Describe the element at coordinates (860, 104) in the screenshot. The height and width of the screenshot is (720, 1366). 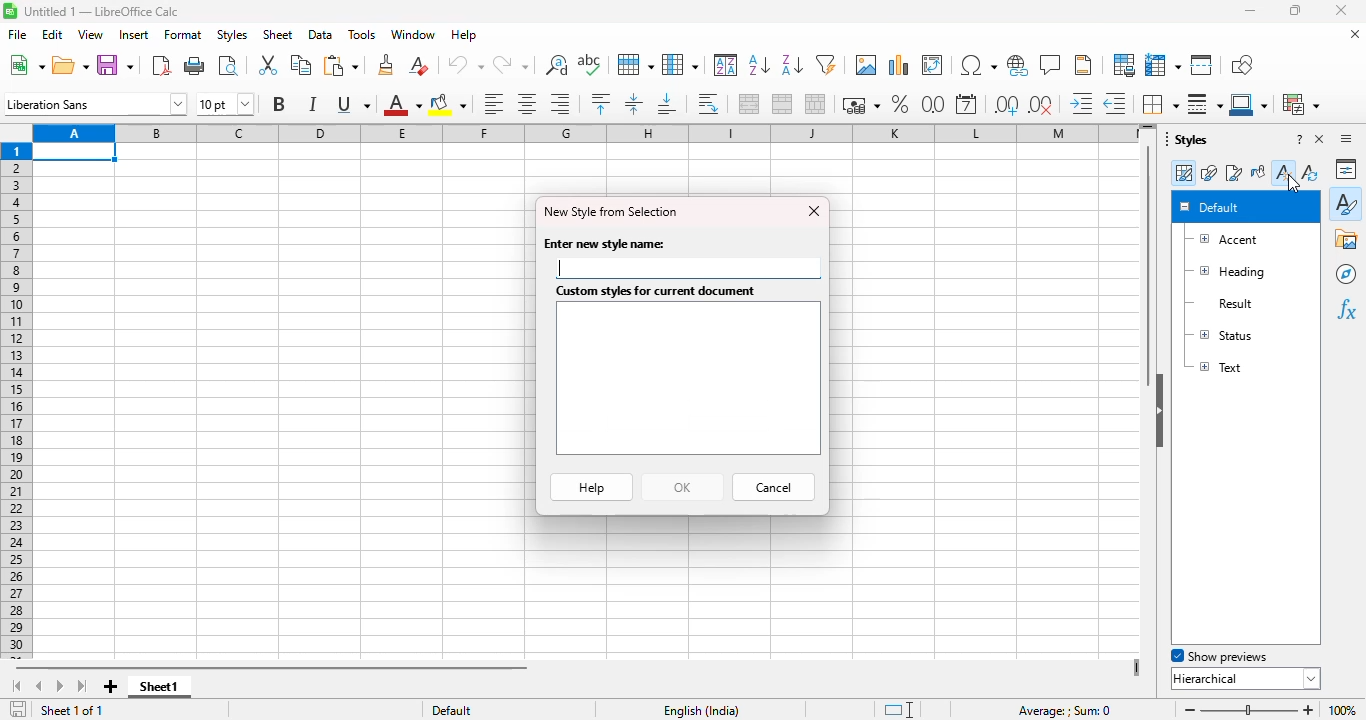
I see `format as currency` at that location.